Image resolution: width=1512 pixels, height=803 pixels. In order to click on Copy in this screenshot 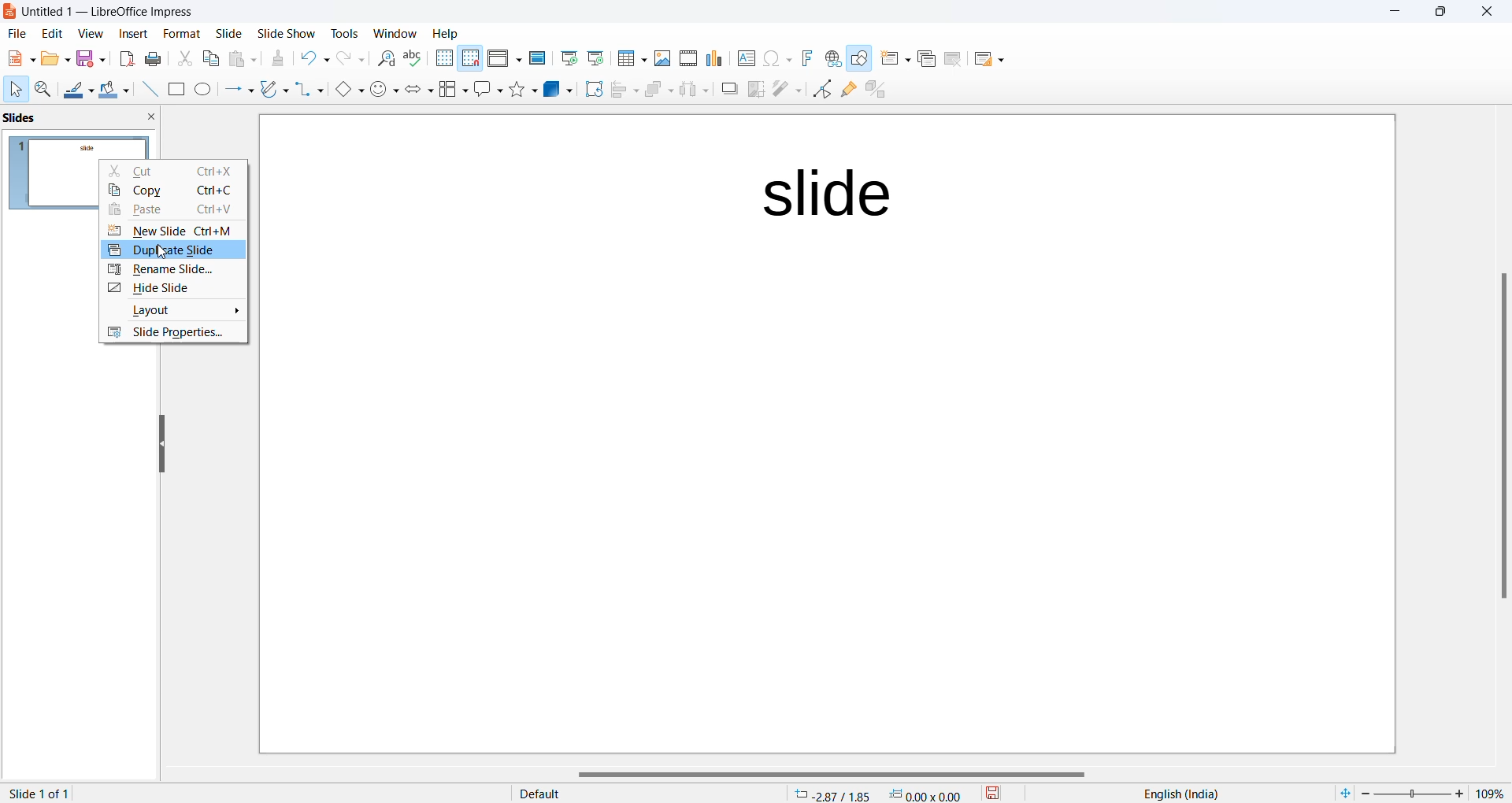, I will do `click(177, 189)`.